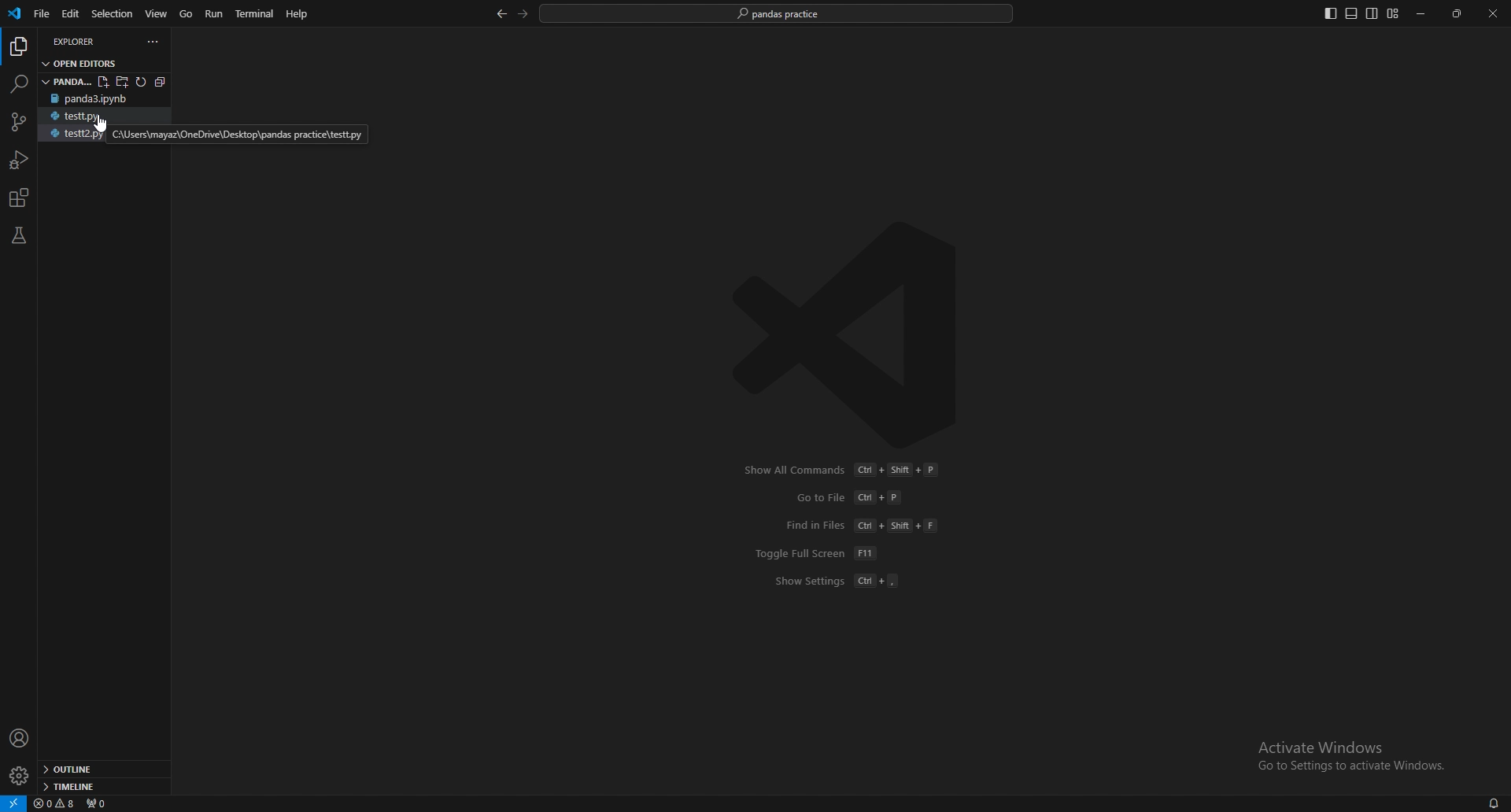  I want to click on source control, so click(17, 122).